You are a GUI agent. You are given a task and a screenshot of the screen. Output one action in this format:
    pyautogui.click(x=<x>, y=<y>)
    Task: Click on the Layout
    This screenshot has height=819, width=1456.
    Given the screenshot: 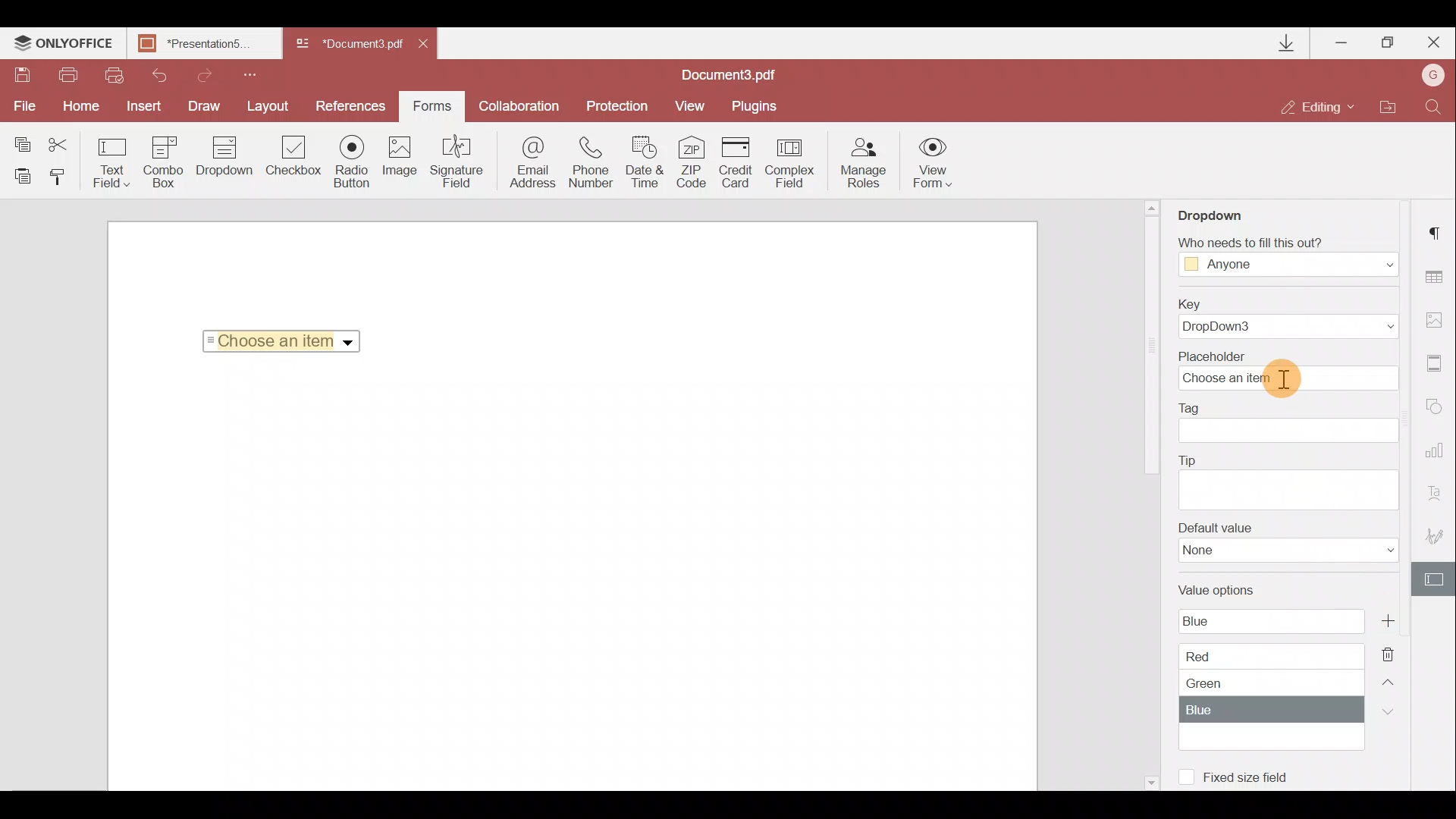 What is the action you would take?
    pyautogui.click(x=272, y=106)
    